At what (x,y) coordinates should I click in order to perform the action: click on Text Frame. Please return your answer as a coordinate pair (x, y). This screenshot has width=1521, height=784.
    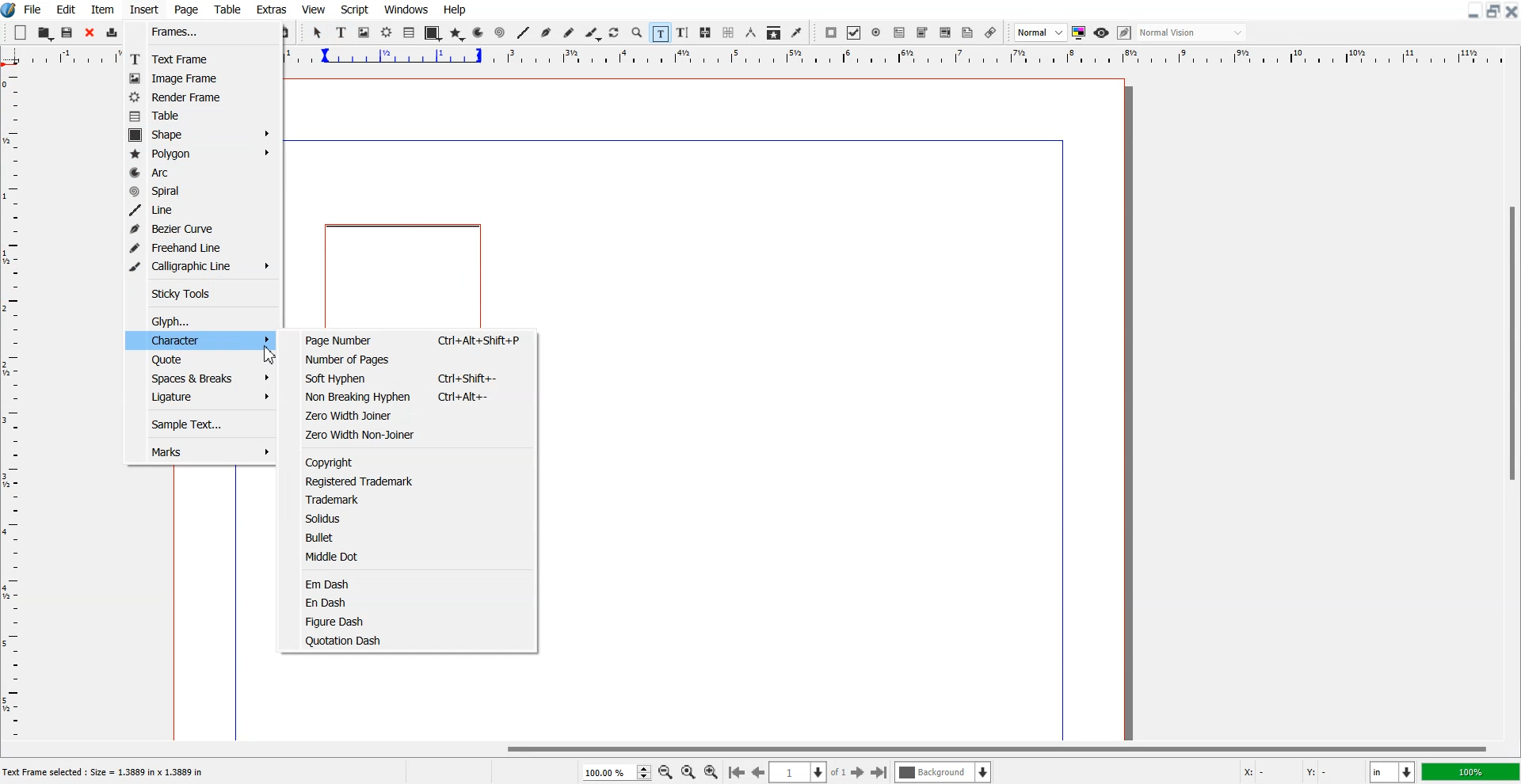
    Looking at the image, I should click on (196, 59).